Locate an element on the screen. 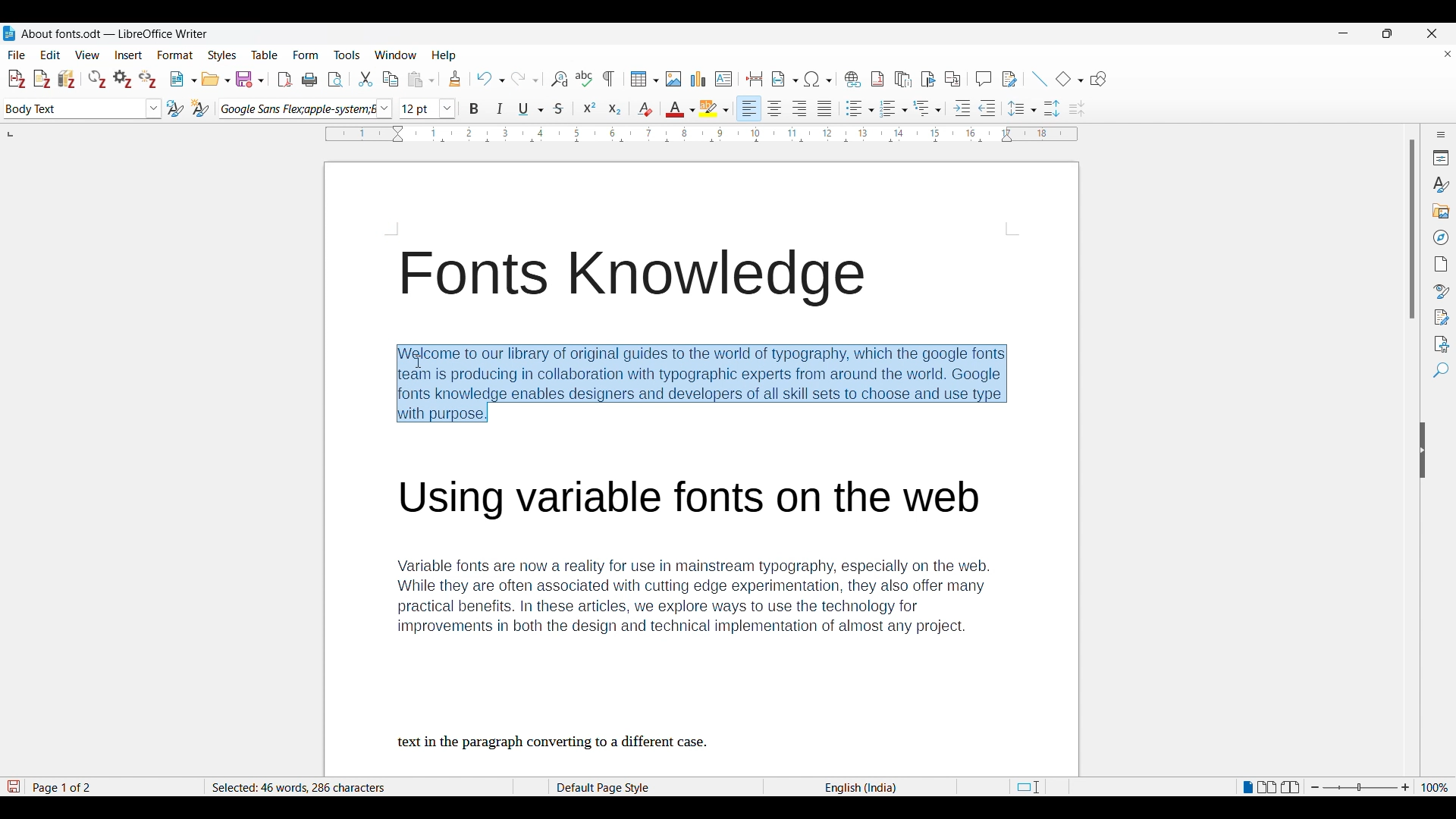 The width and height of the screenshot is (1456, 819). Italics is located at coordinates (500, 108).